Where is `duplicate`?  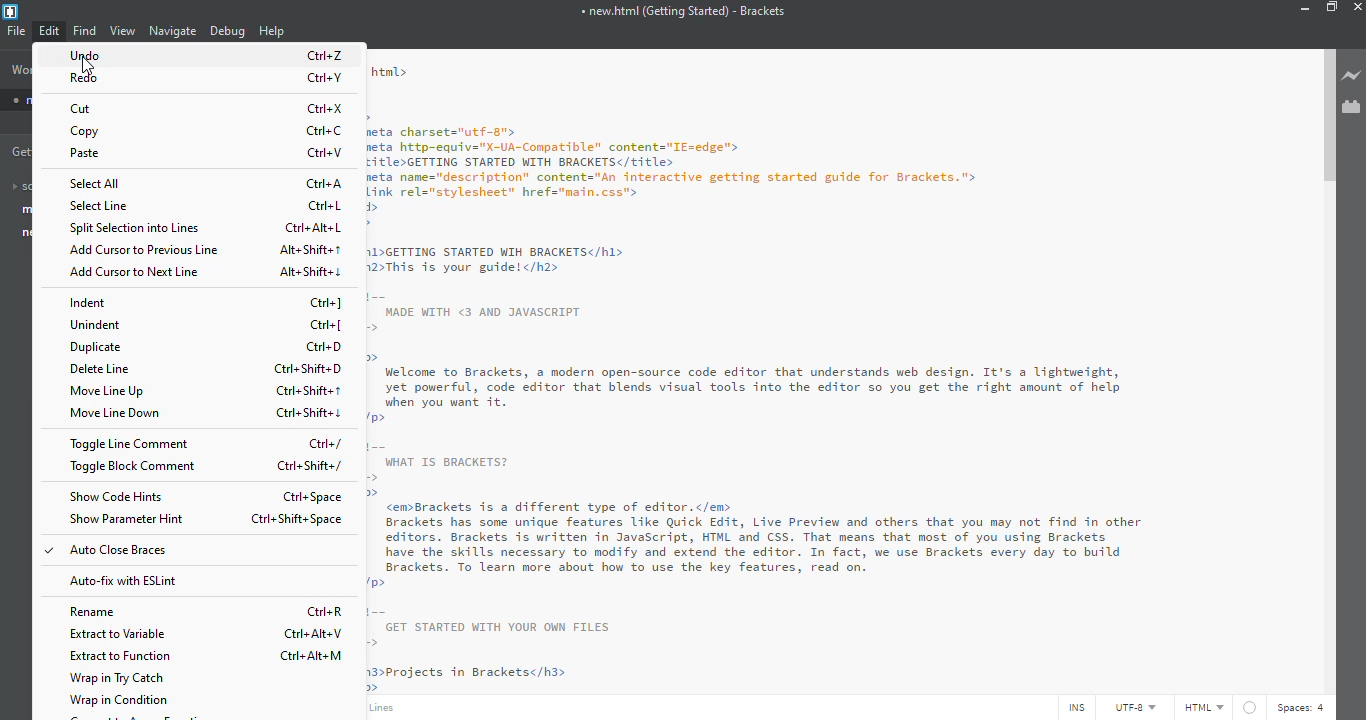
duplicate is located at coordinates (96, 347).